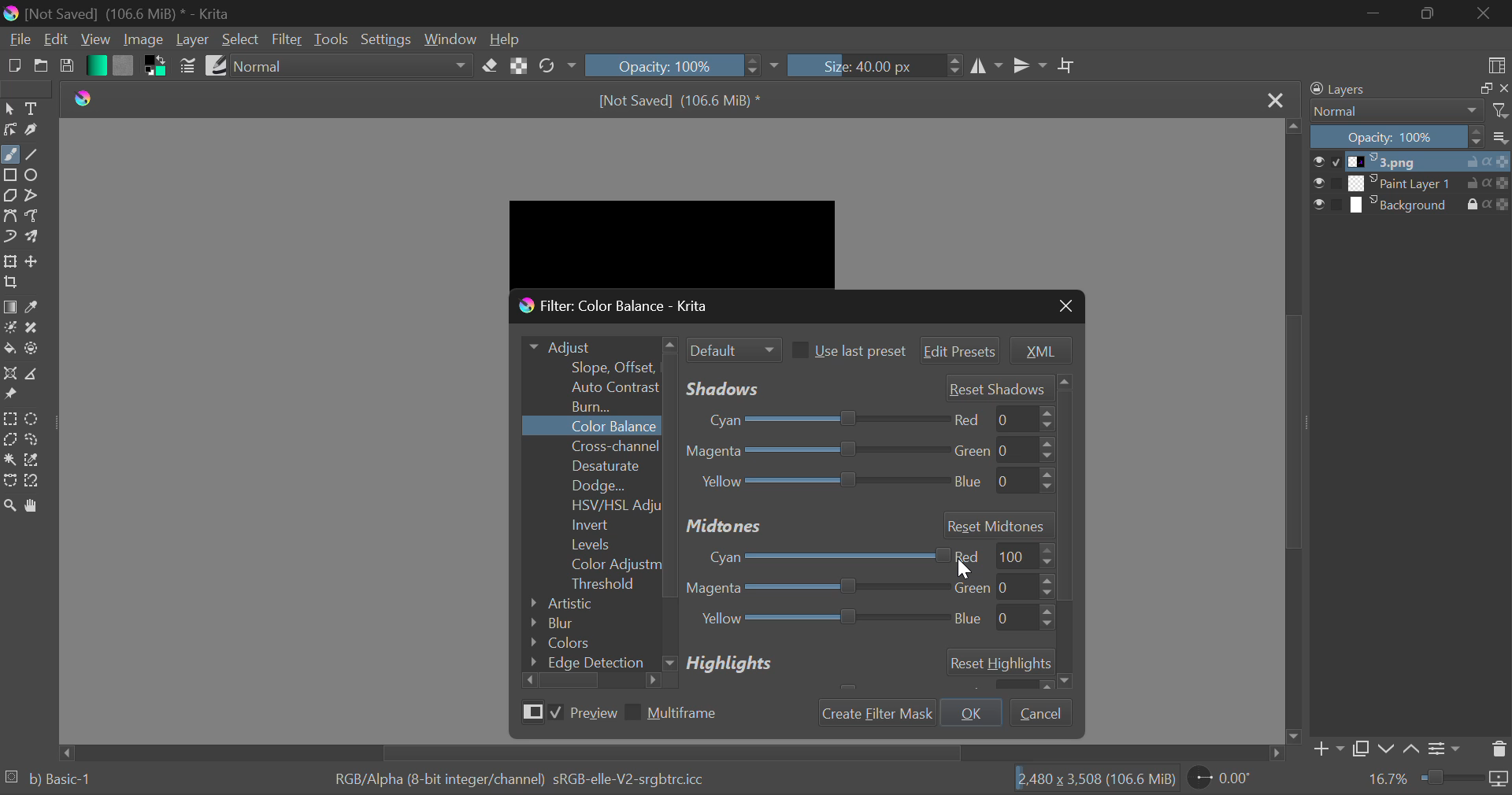 The height and width of the screenshot is (795, 1512). I want to click on Opacity 100%, so click(1397, 137).